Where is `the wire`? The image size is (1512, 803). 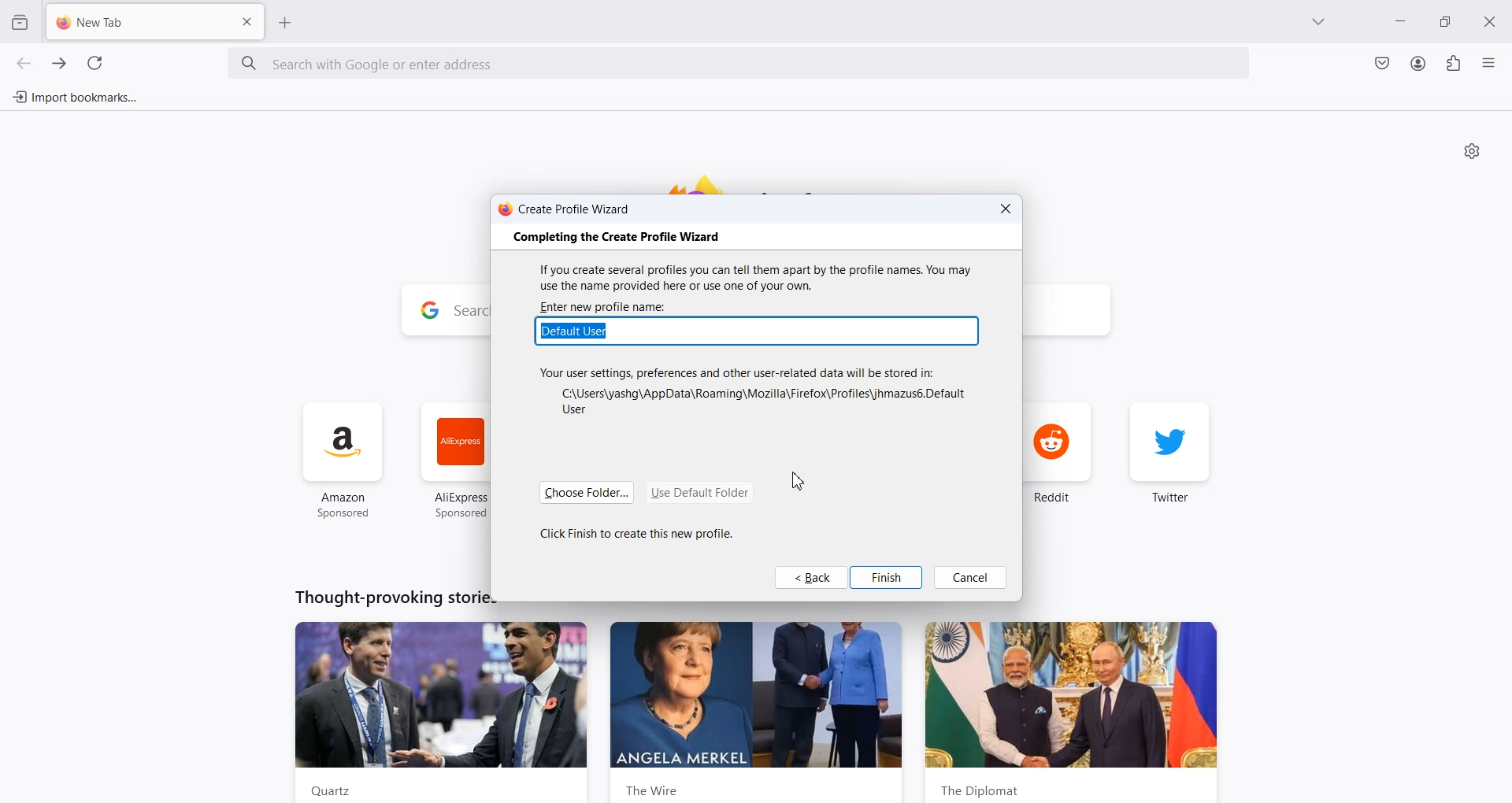 the wire is located at coordinates (758, 712).